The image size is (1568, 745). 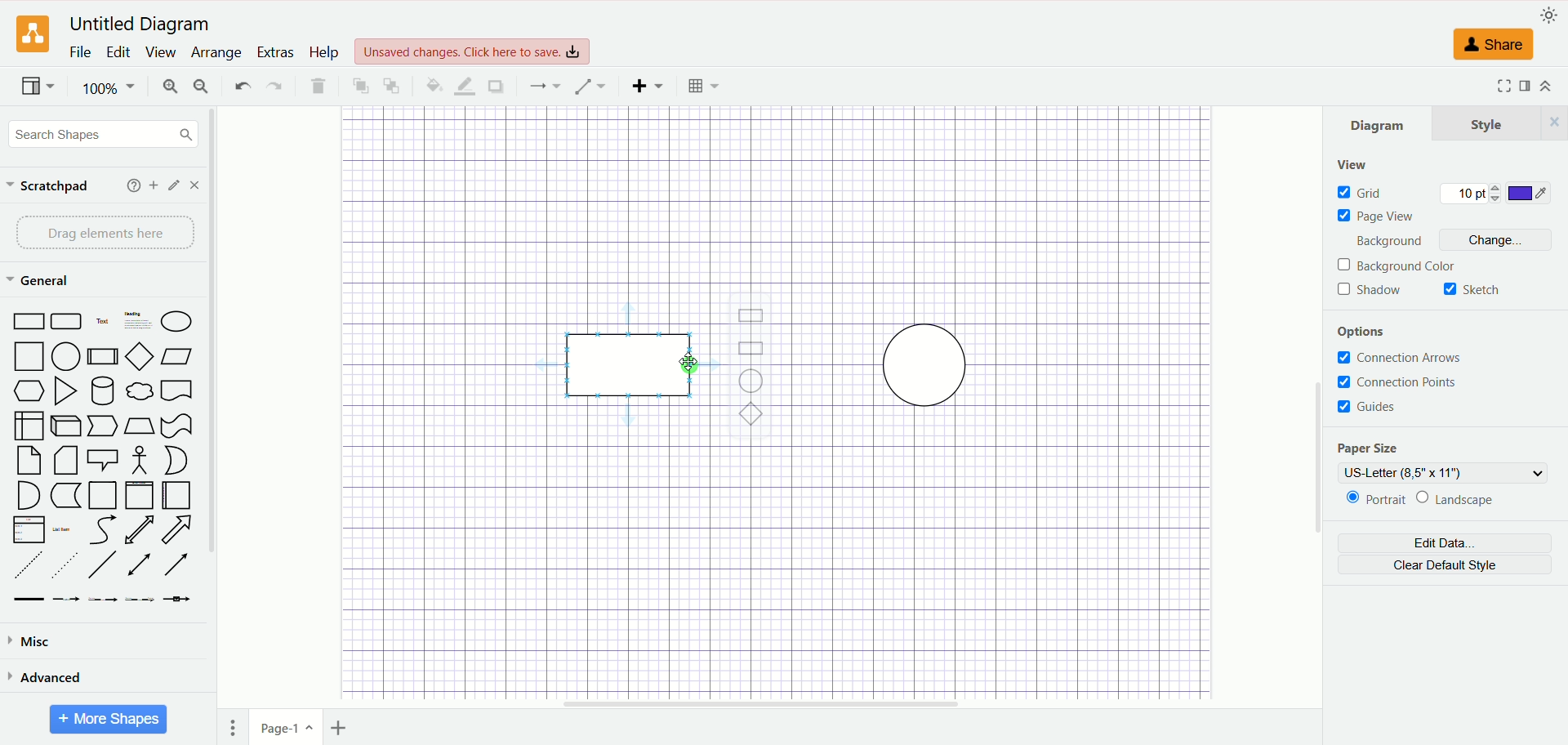 What do you see at coordinates (1396, 381) in the screenshot?
I see `connection points` at bounding box center [1396, 381].